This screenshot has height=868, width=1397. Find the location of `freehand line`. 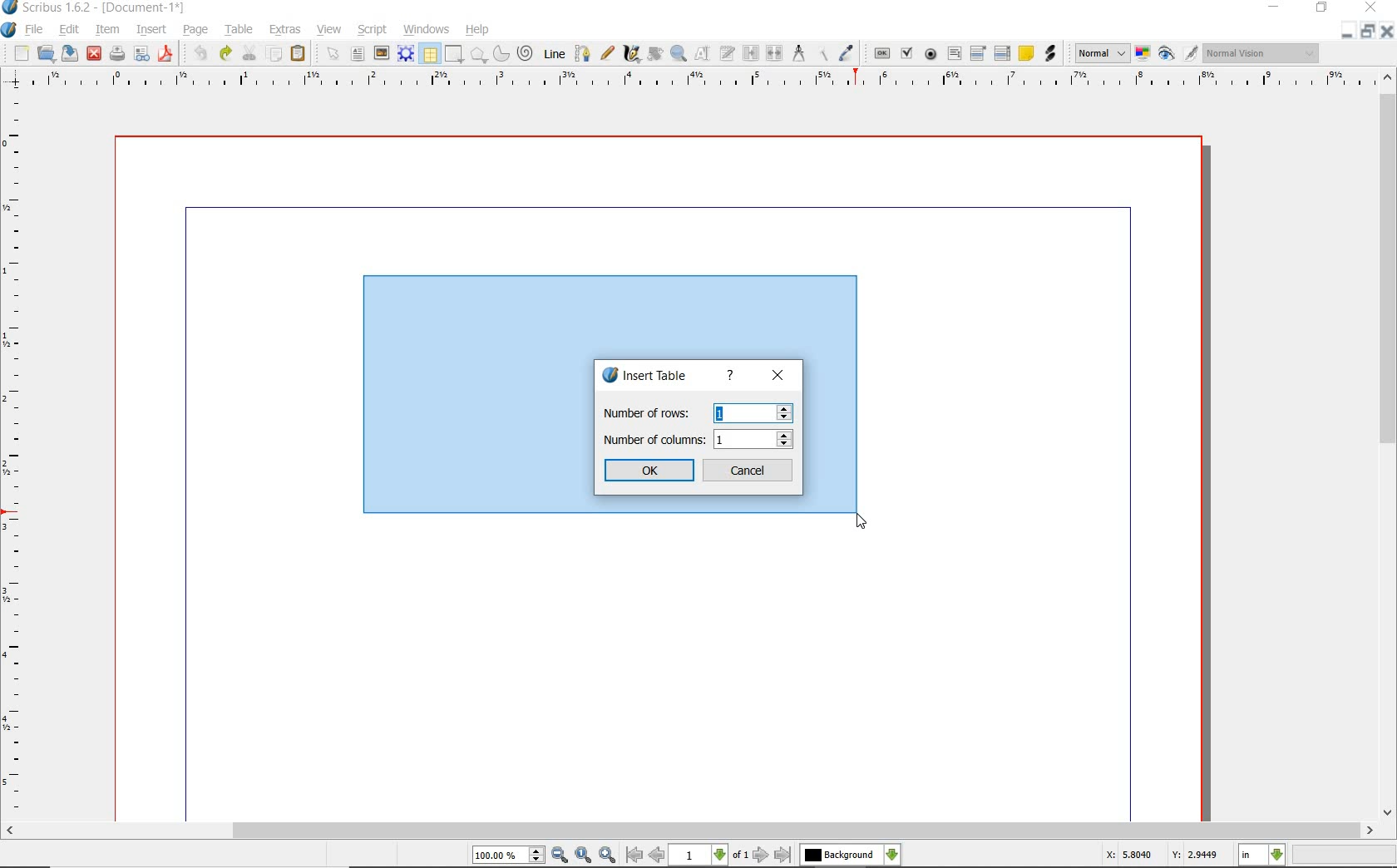

freehand line is located at coordinates (609, 54).